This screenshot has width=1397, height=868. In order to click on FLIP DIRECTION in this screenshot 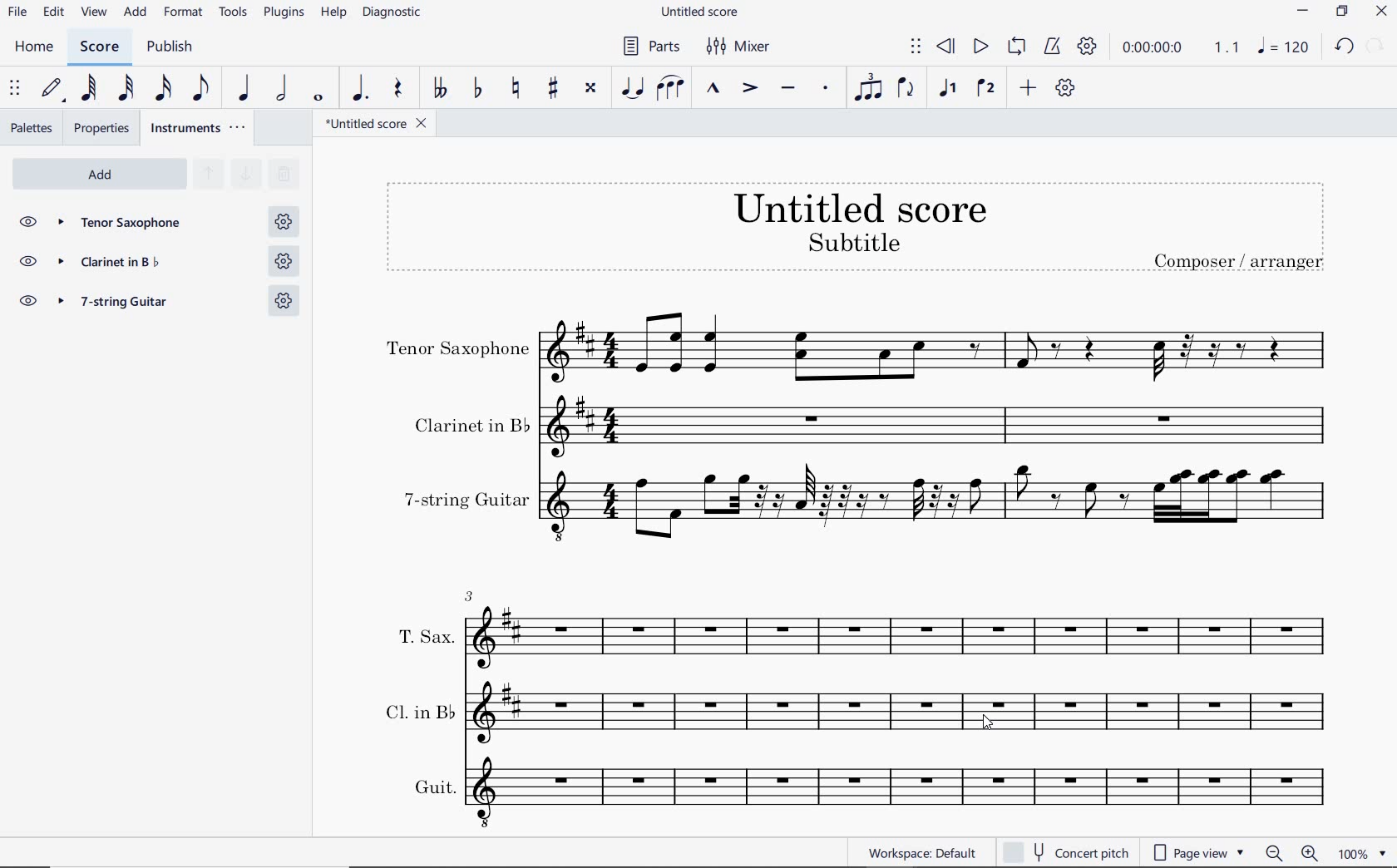, I will do `click(906, 89)`.